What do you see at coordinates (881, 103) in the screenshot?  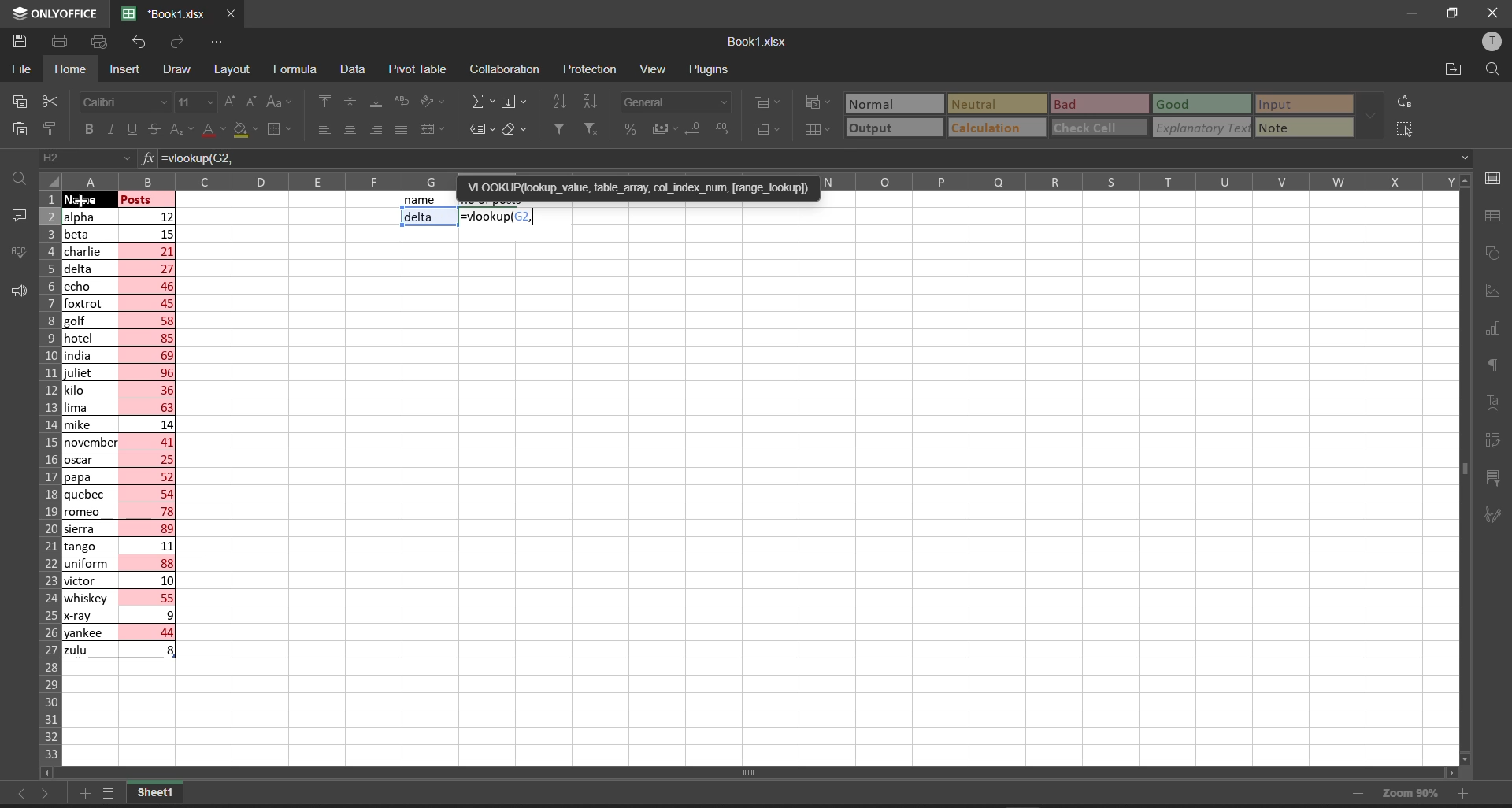 I see `Normal` at bounding box center [881, 103].